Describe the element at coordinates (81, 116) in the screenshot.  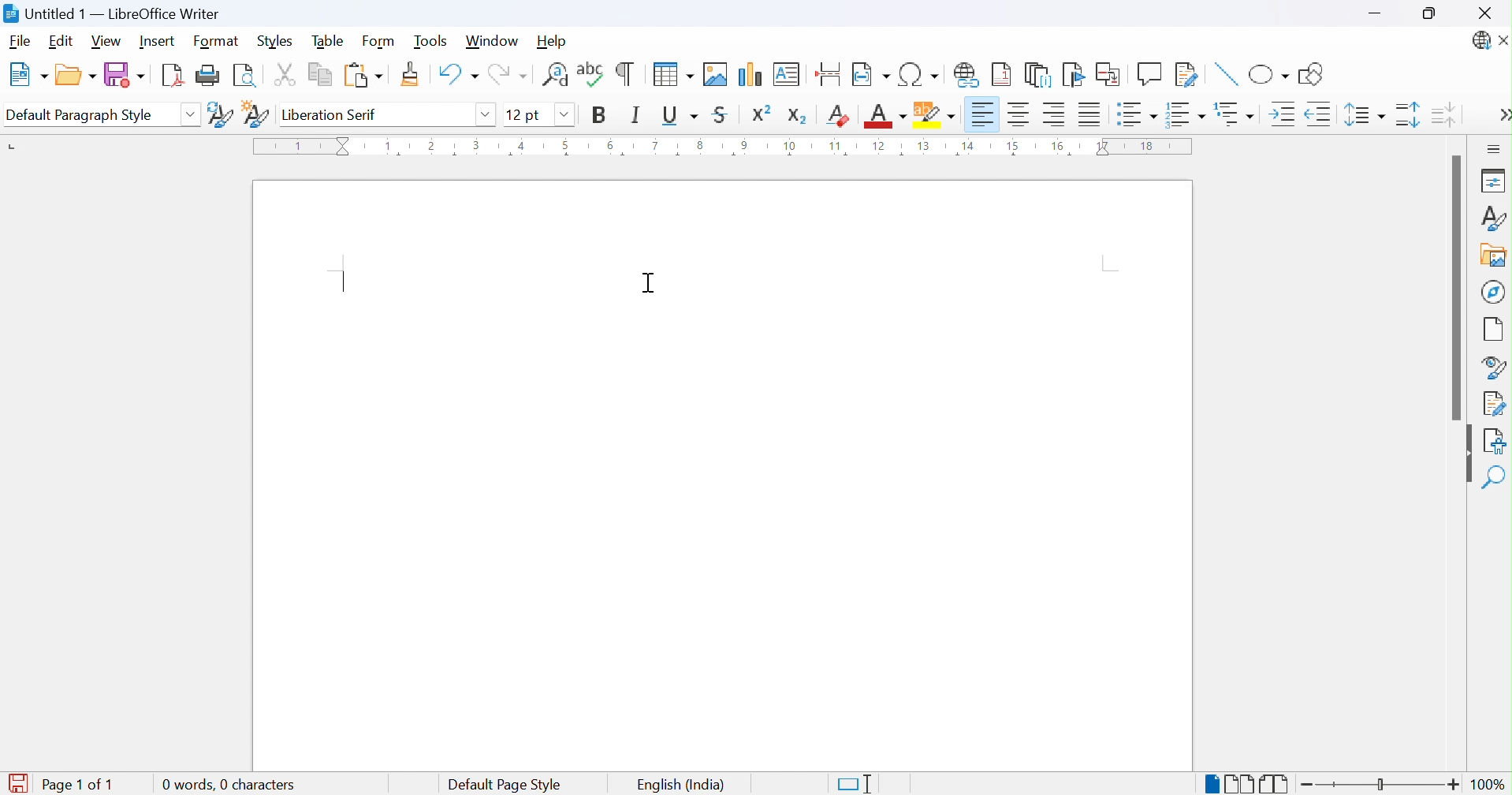
I see `Default paragraph style` at that location.